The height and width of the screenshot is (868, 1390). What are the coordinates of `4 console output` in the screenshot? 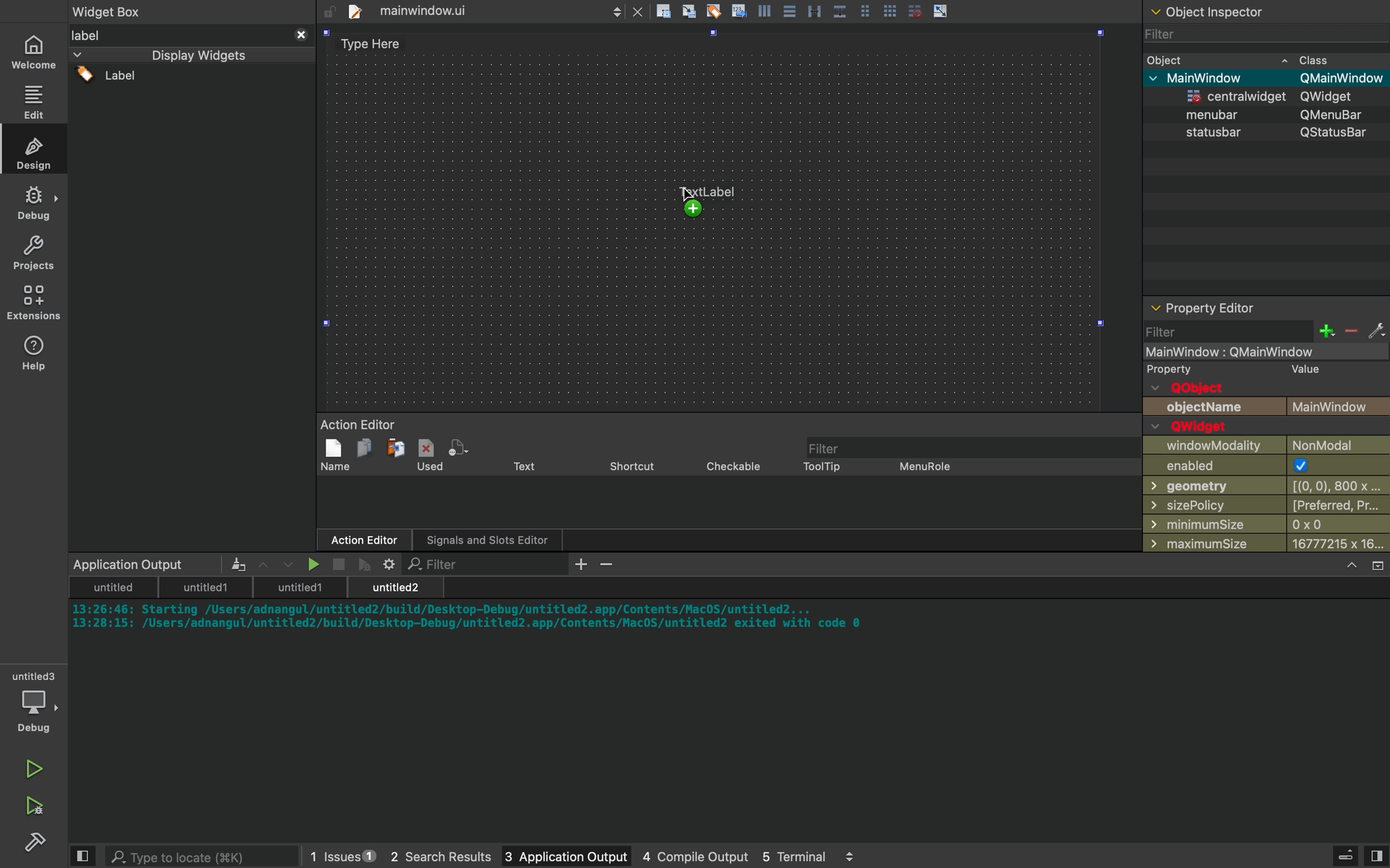 It's located at (682, 857).